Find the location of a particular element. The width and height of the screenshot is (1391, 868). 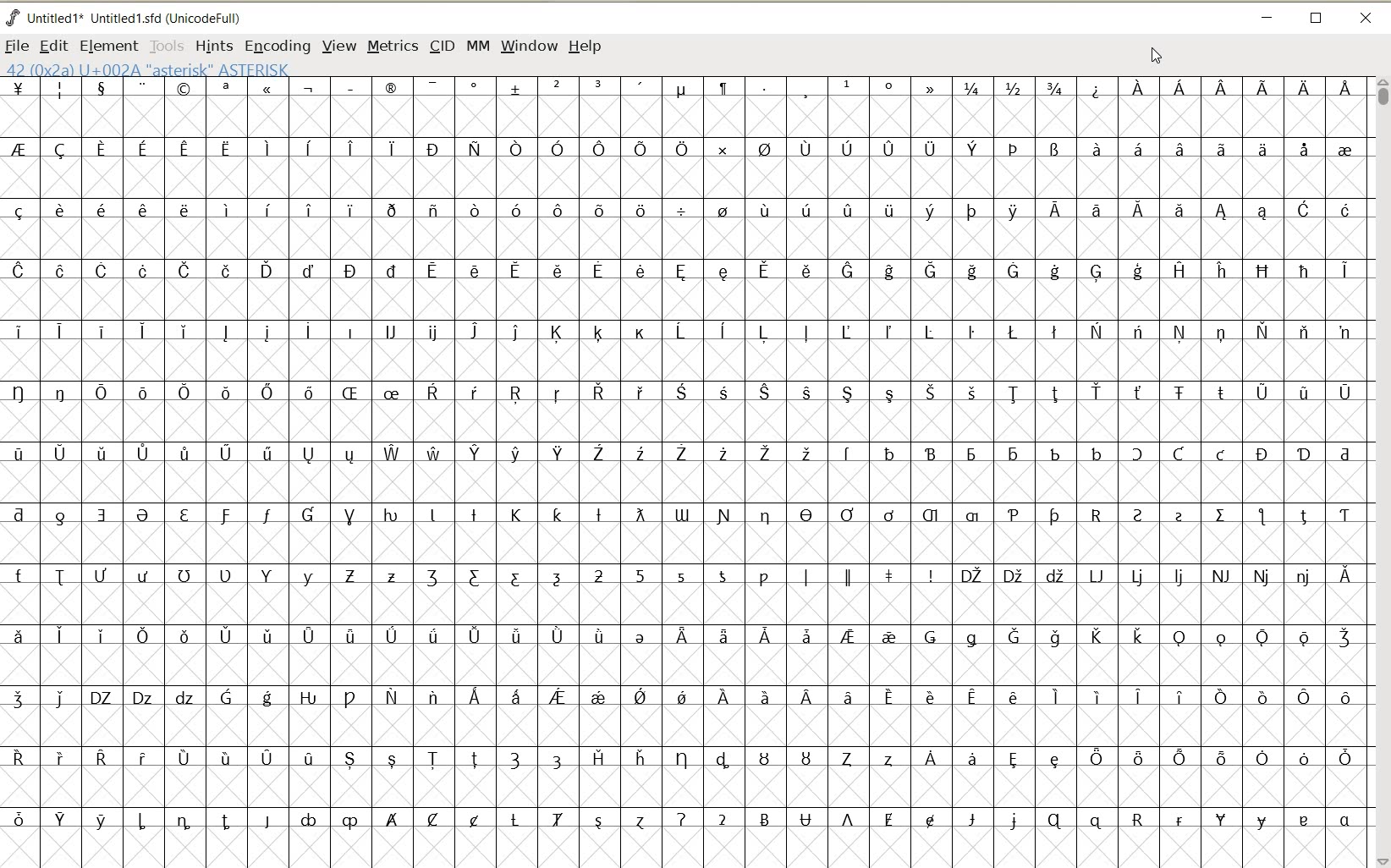

MINIMIZE is located at coordinates (1267, 18).